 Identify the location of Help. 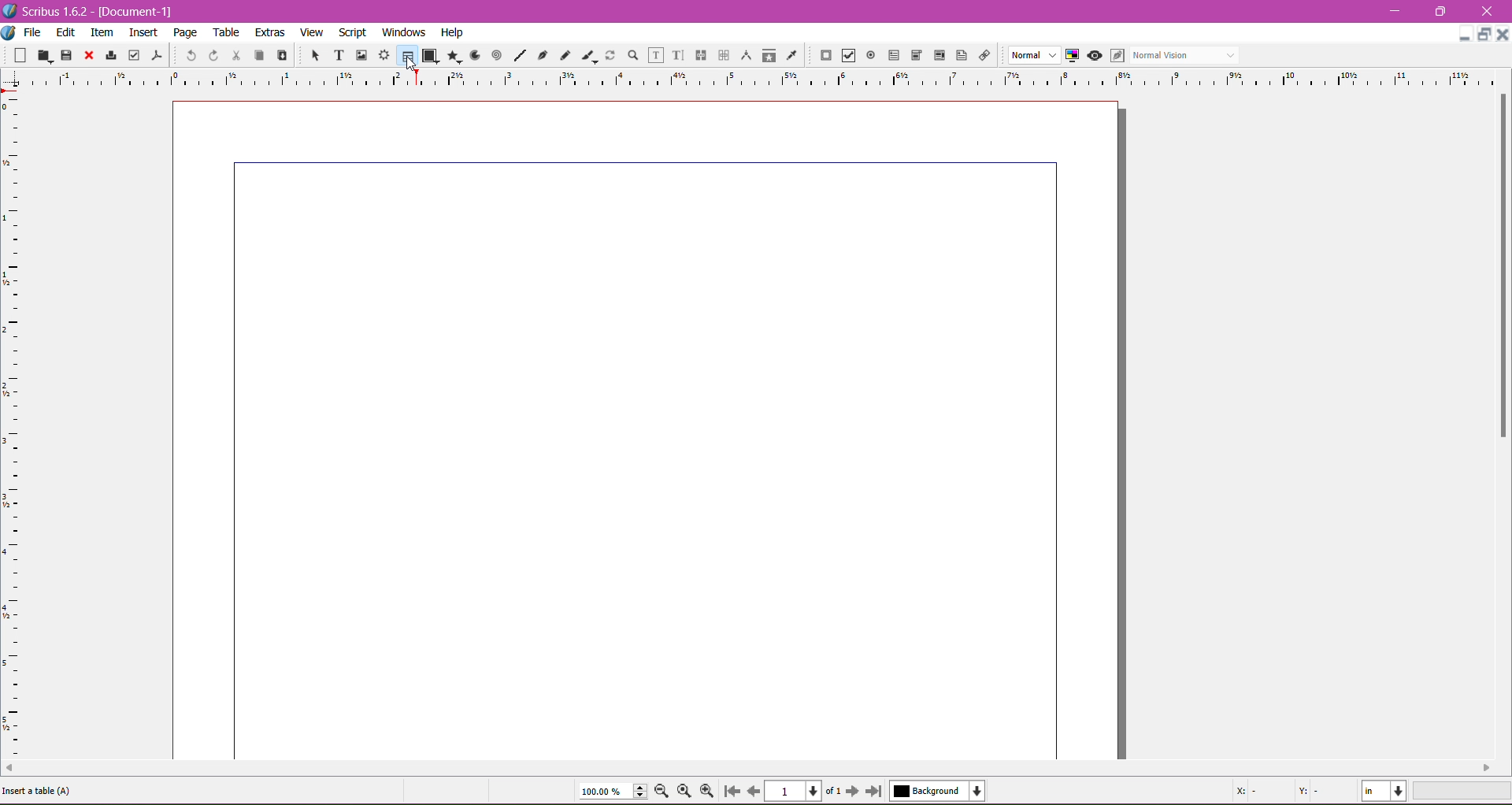
(452, 33).